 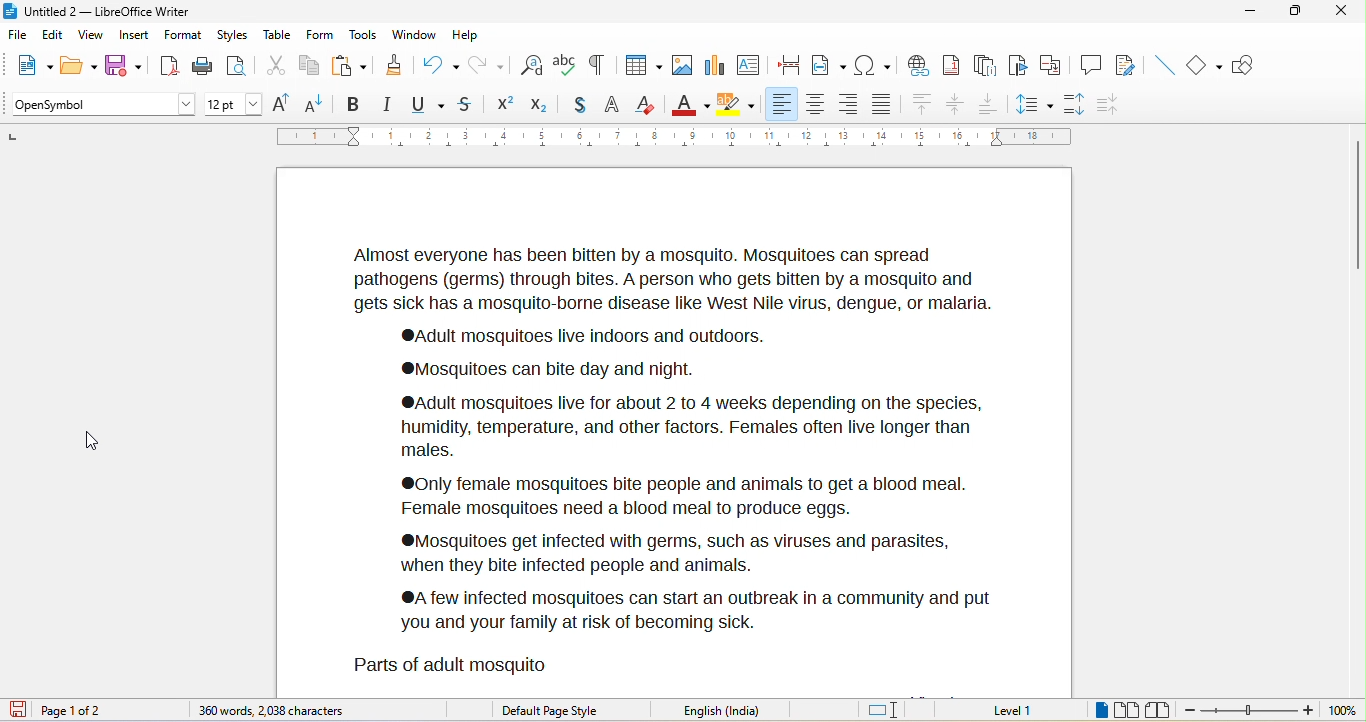 What do you see at coordinates (875, 65) in the screenshot?
I see `special character` at bounding box center [875, 65].